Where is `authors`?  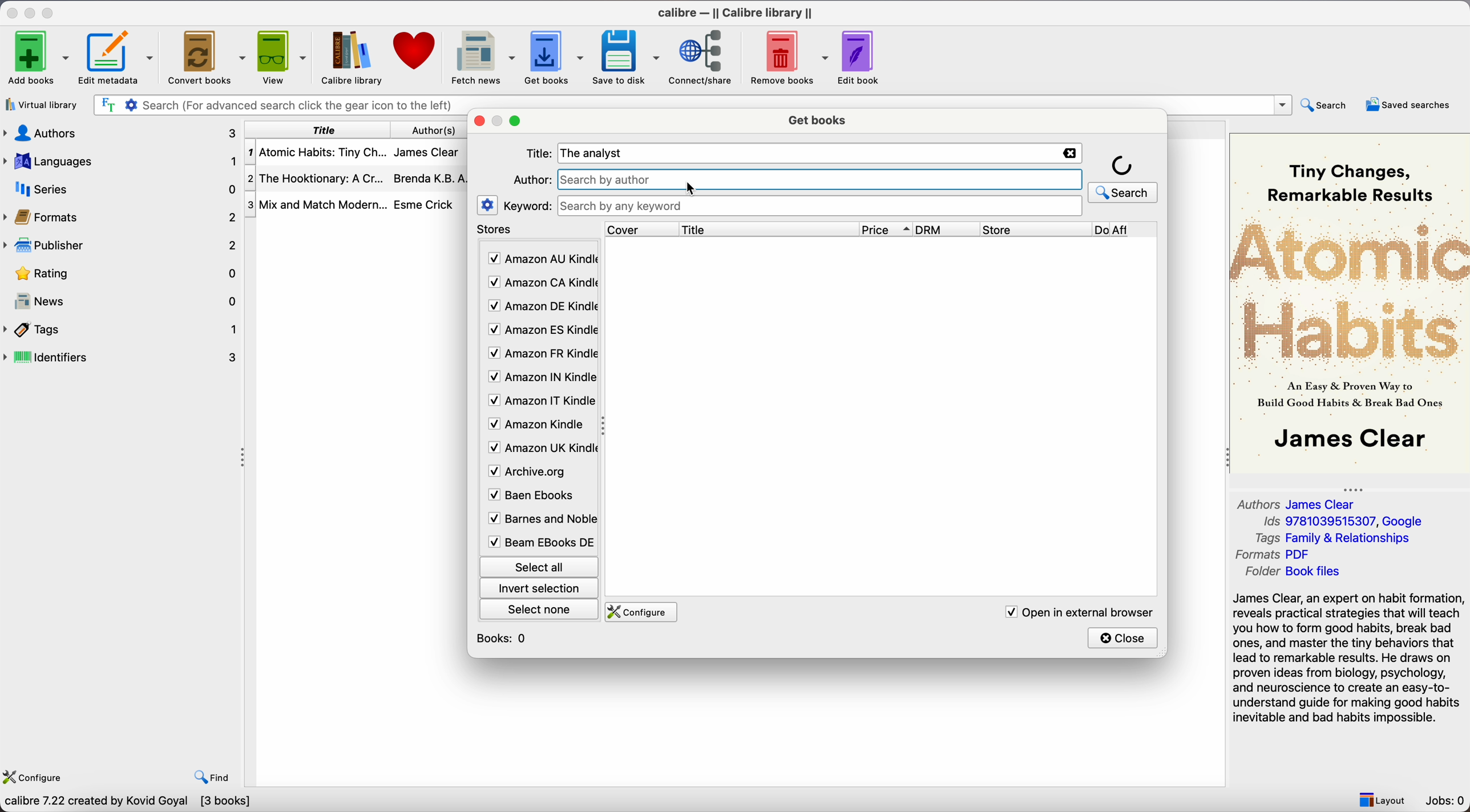
authors is located at coordinates (434, 131).